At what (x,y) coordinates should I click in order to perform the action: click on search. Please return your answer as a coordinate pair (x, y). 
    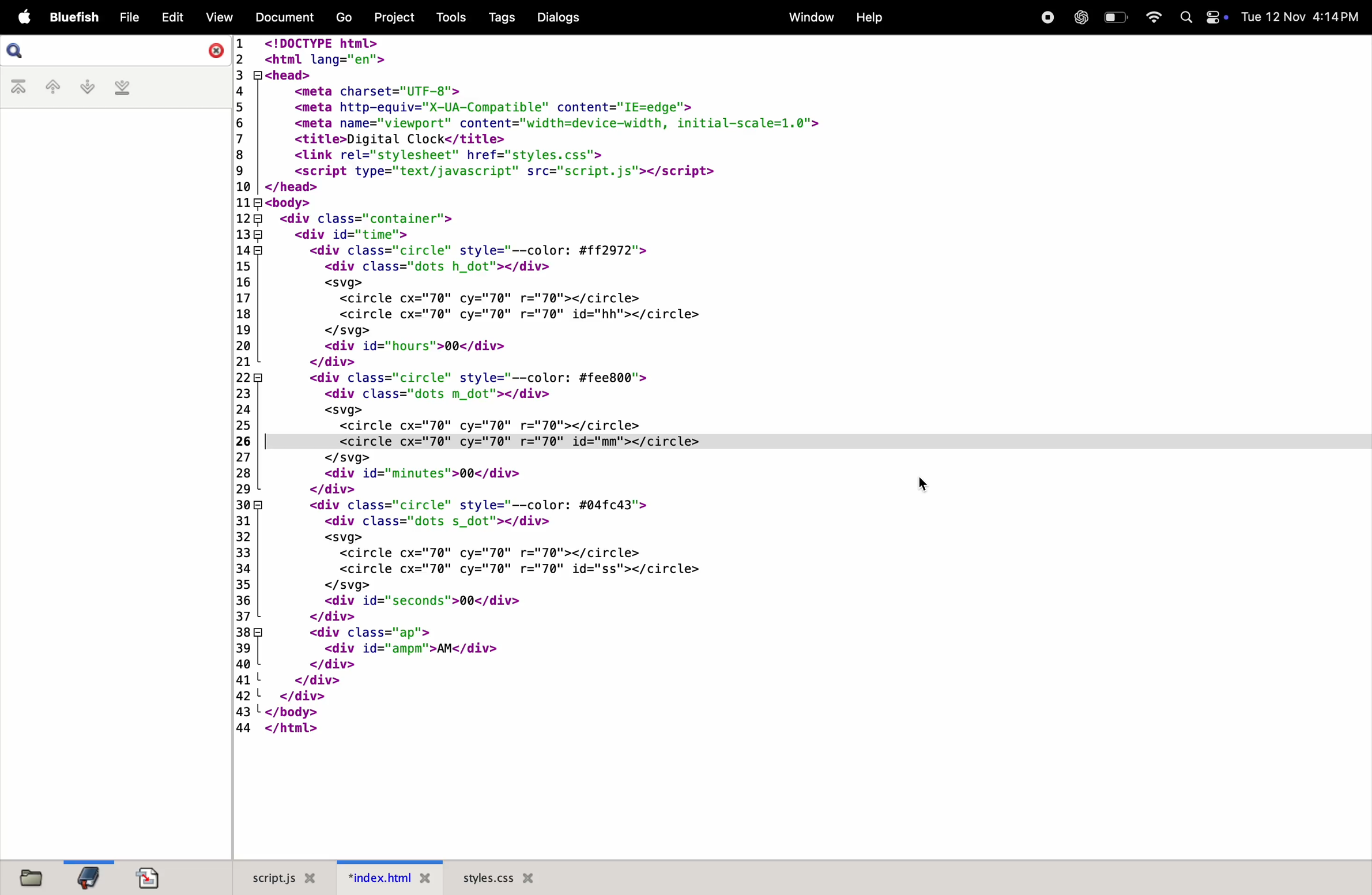
    Looking at the image, I should click on (17, 51).